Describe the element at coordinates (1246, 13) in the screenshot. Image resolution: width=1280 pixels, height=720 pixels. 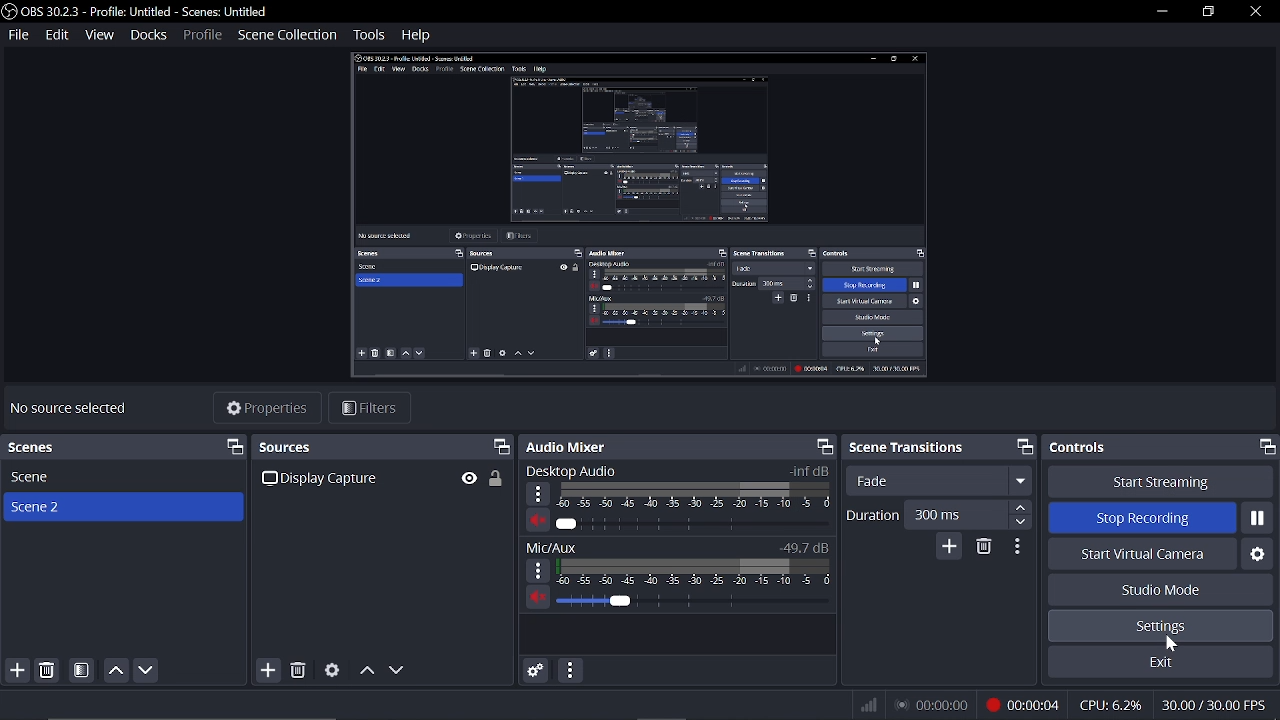
I see `close` at that location.